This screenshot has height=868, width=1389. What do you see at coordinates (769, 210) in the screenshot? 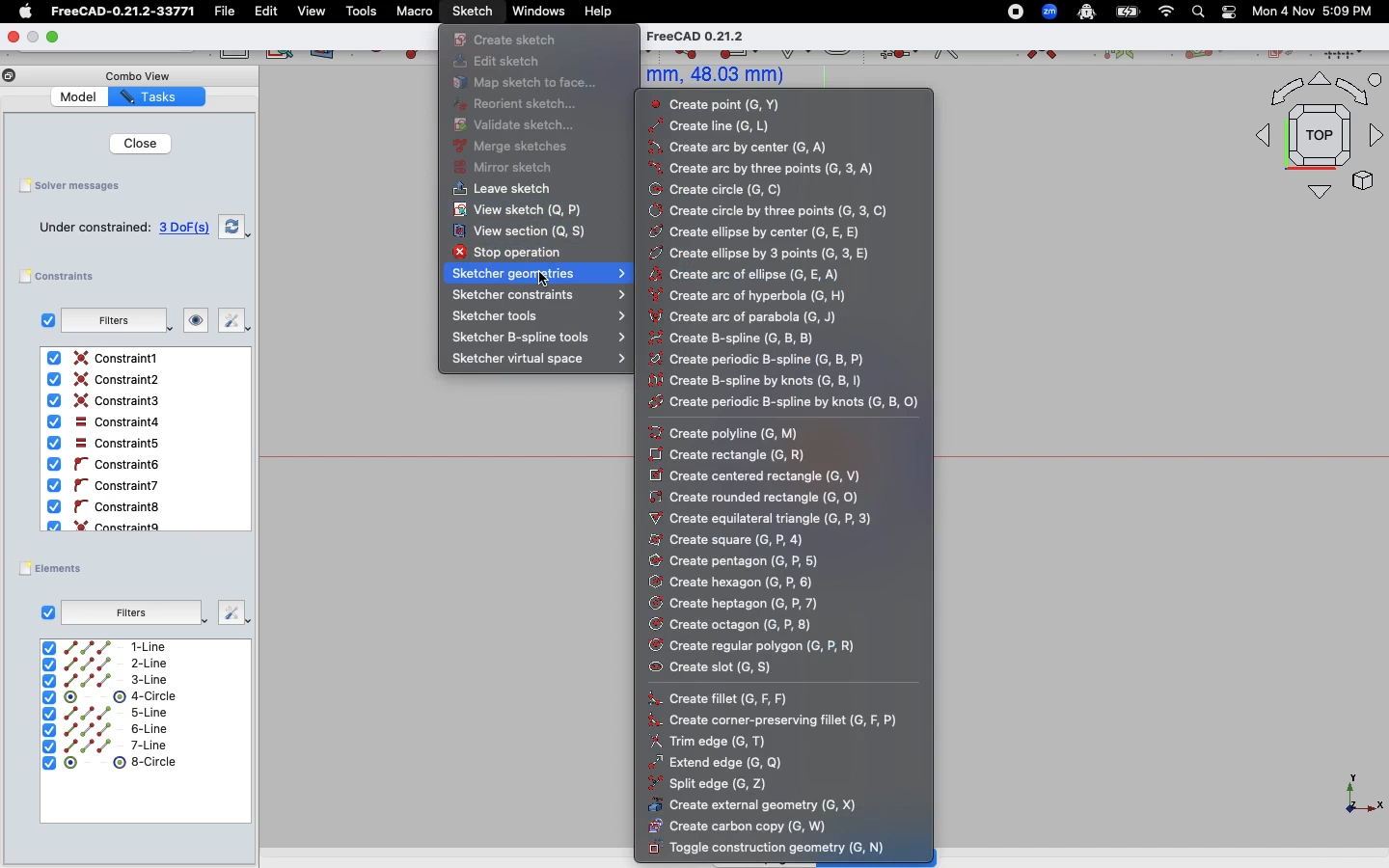
I see `Create circle by three points (G, 3, C)` at bounding box center [769, 210].